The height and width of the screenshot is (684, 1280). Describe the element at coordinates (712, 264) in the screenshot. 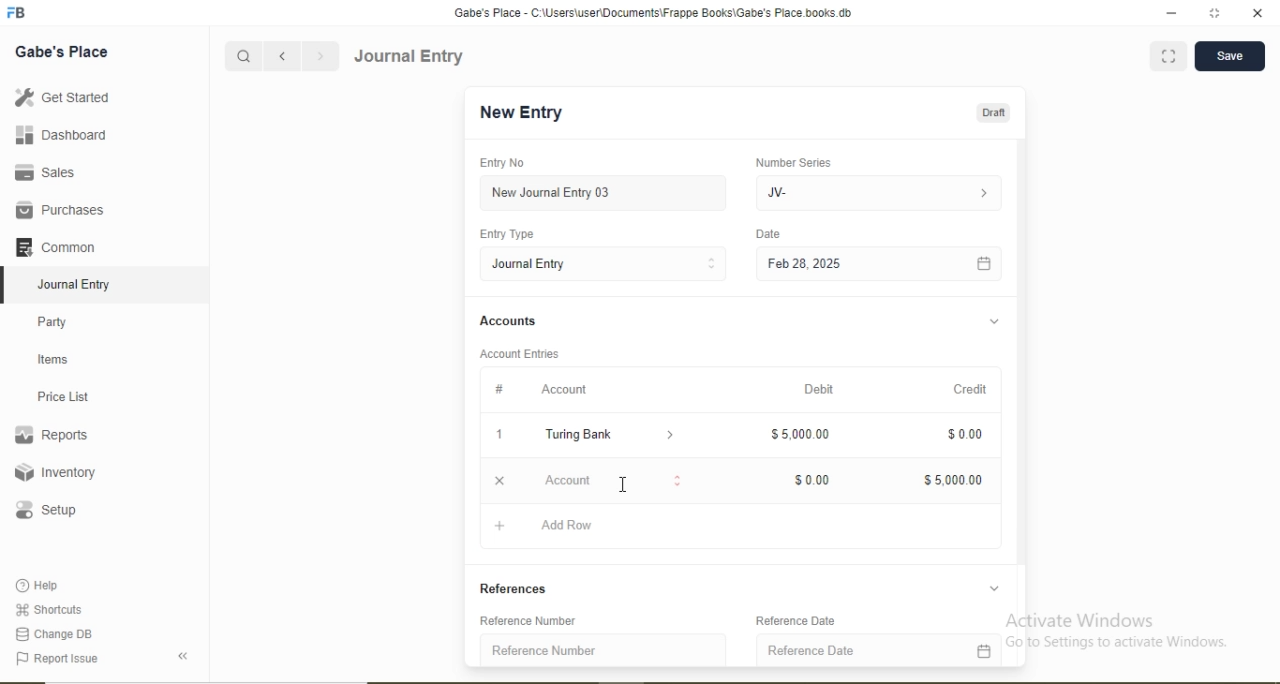

I see `Stepper Buttons` at that location.